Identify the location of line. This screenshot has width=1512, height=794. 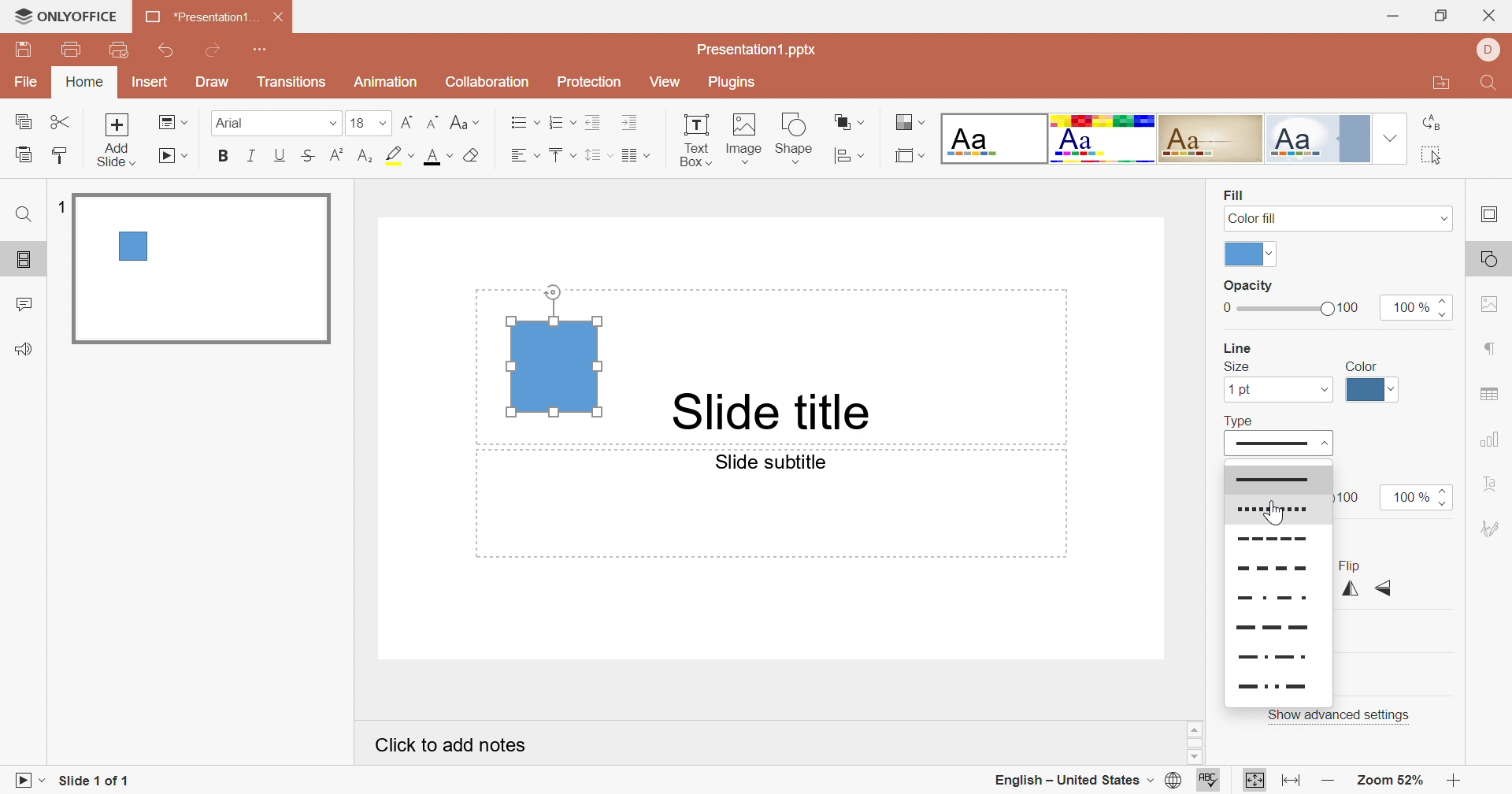
(1277, 685).